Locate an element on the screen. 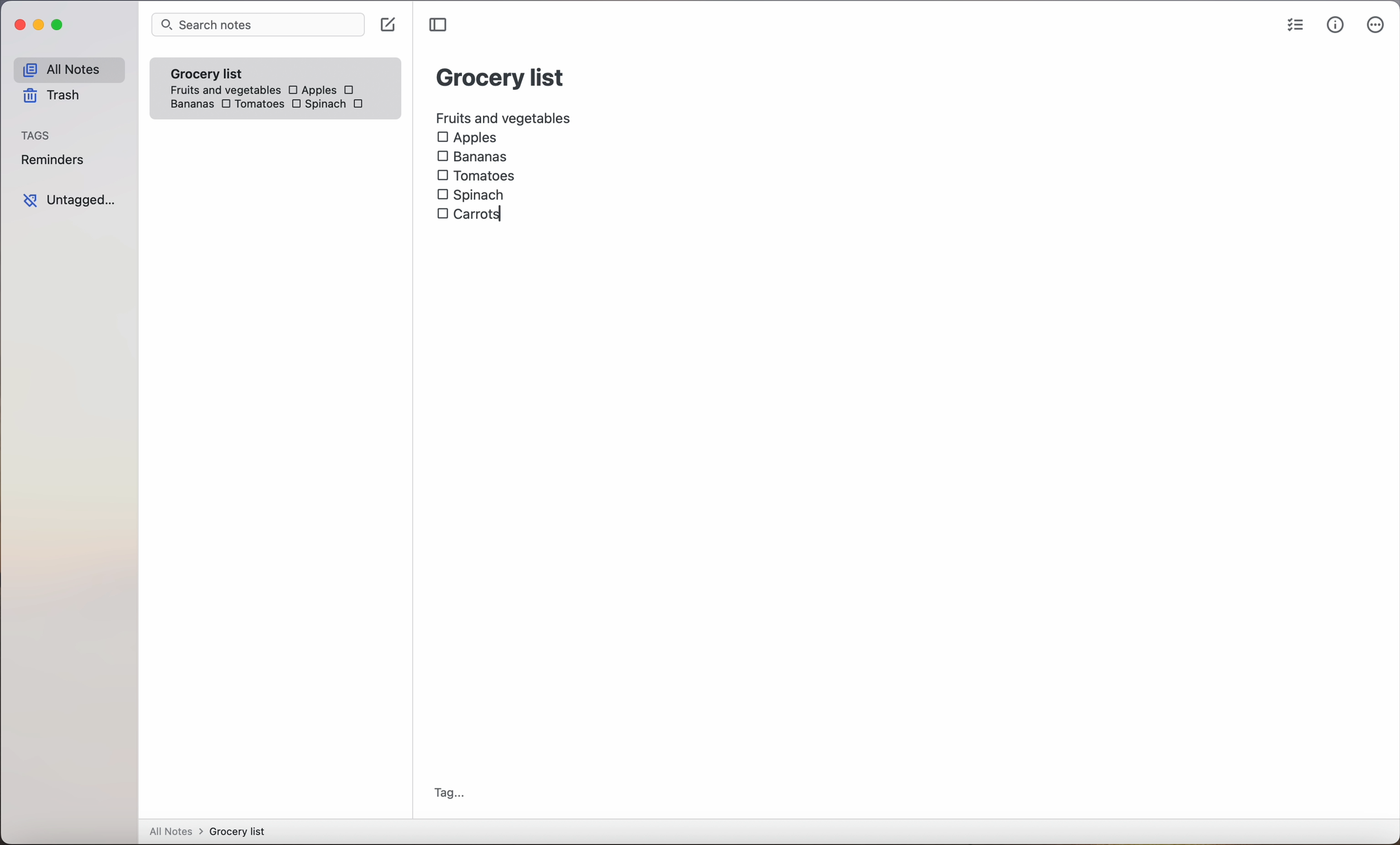 This screenshot has height=845, width=1400. Apples checkbox is located at coordinates (467, 138).